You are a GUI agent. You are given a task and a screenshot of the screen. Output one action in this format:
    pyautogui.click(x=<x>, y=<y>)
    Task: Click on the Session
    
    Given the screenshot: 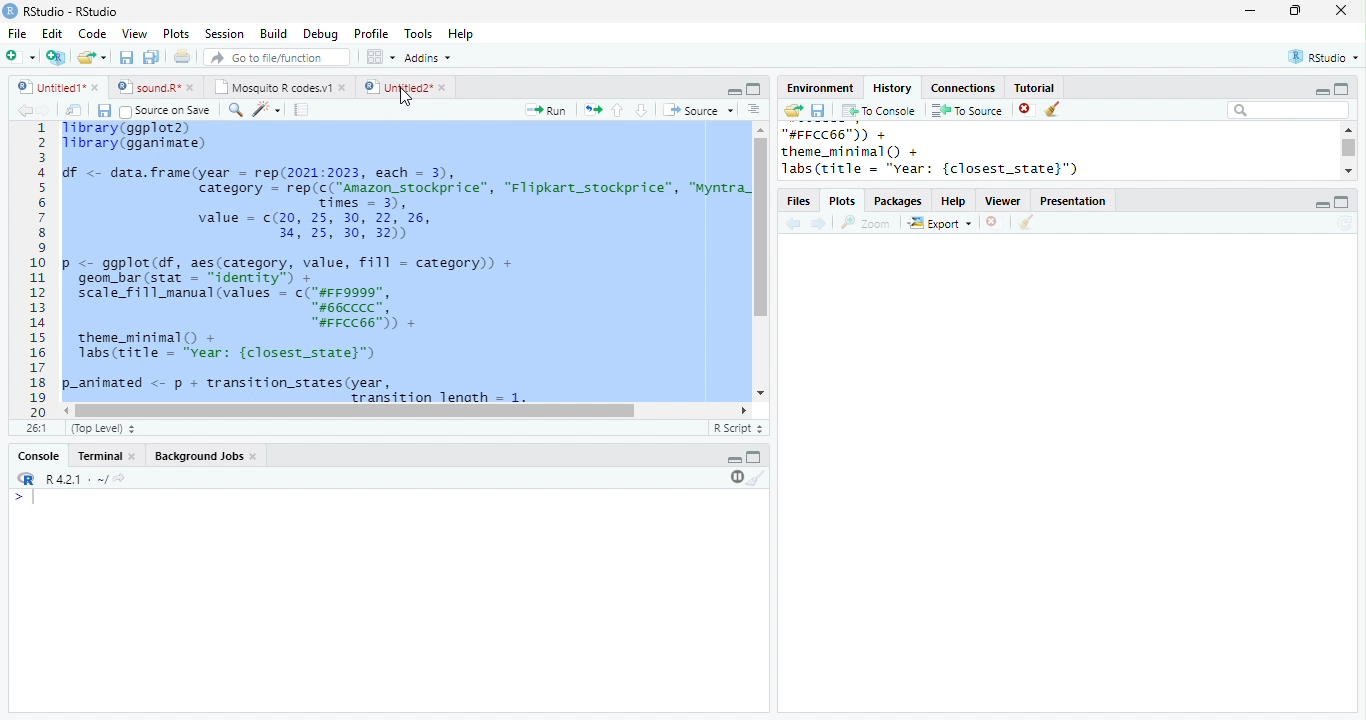 What is the action you would take?
    pyautogui.click(x=223, y=34)
    